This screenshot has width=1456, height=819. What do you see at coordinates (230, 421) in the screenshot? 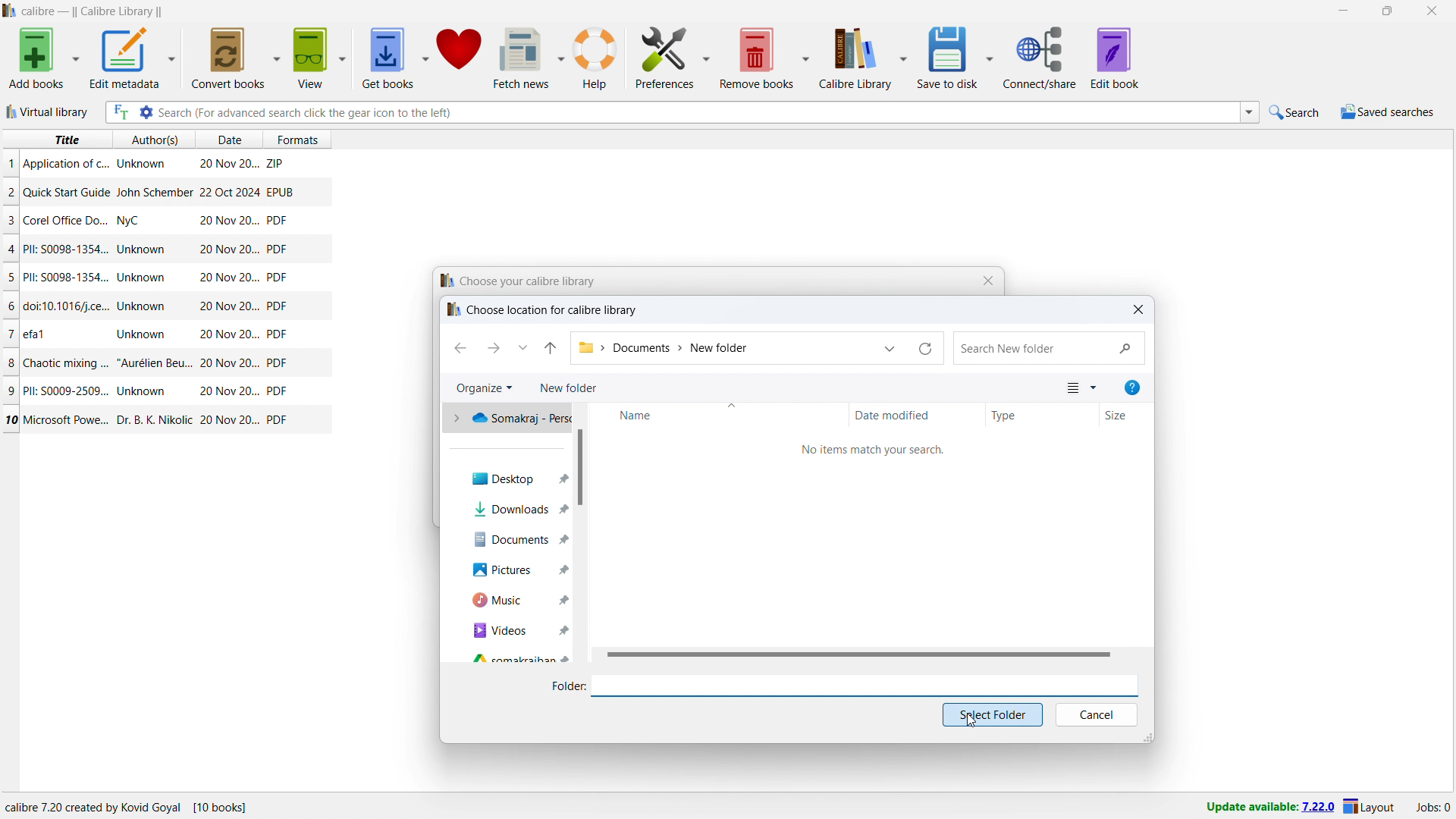
I see `Date` at bounding box center [230, 421].